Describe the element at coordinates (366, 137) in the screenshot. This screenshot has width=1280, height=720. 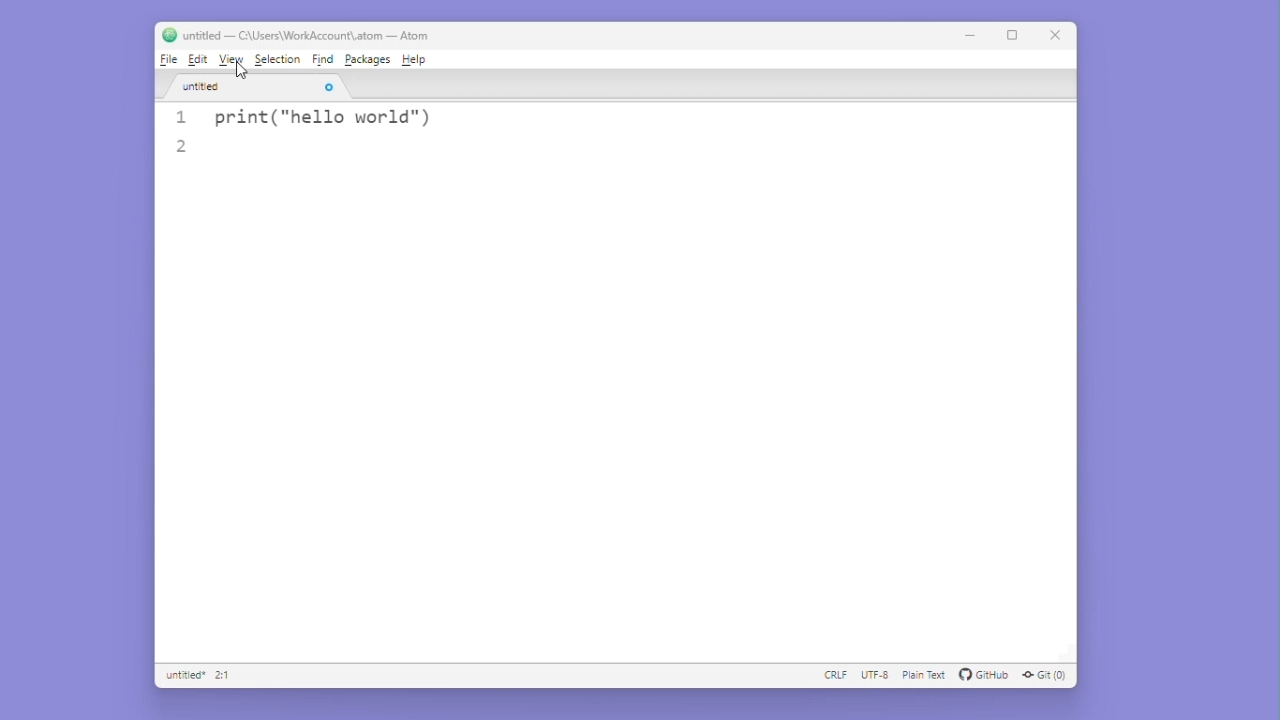
I see `1 print("hello world")
2` at that location.